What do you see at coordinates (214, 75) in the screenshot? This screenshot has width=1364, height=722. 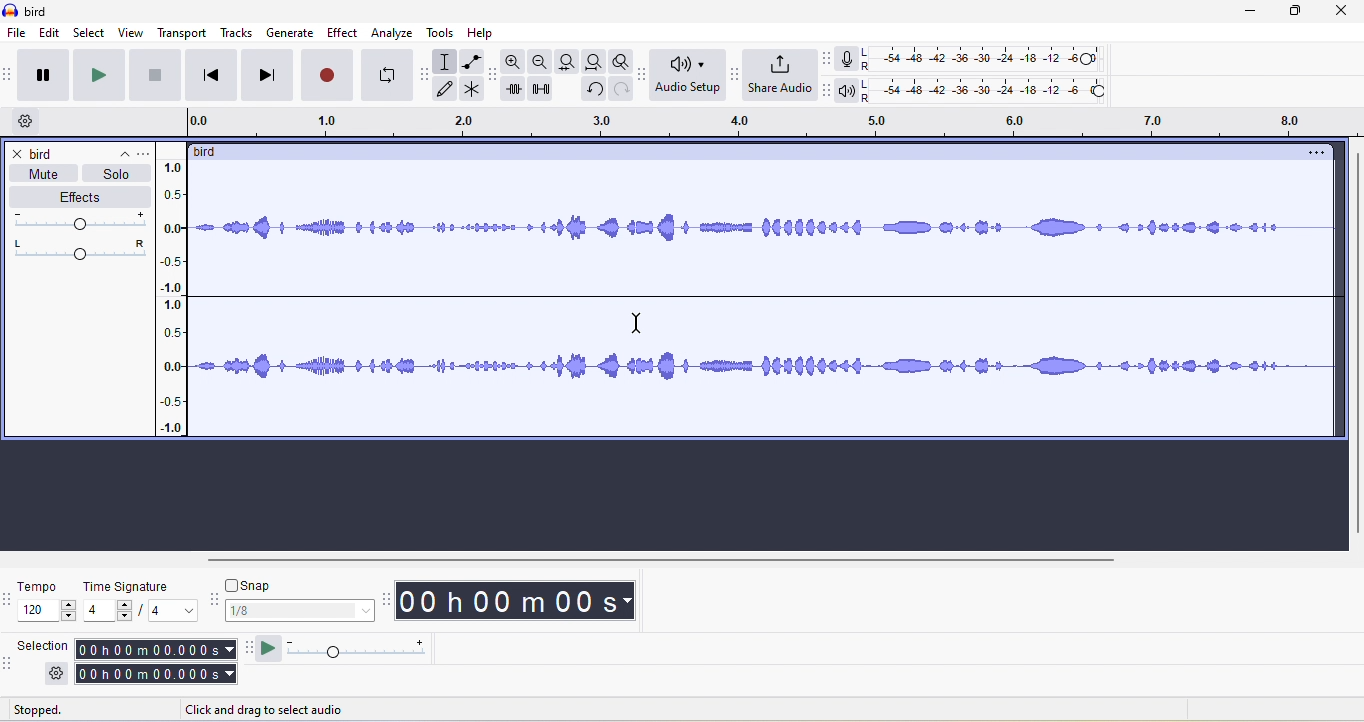 I see `skip to start` at bounding box center [214, 75].